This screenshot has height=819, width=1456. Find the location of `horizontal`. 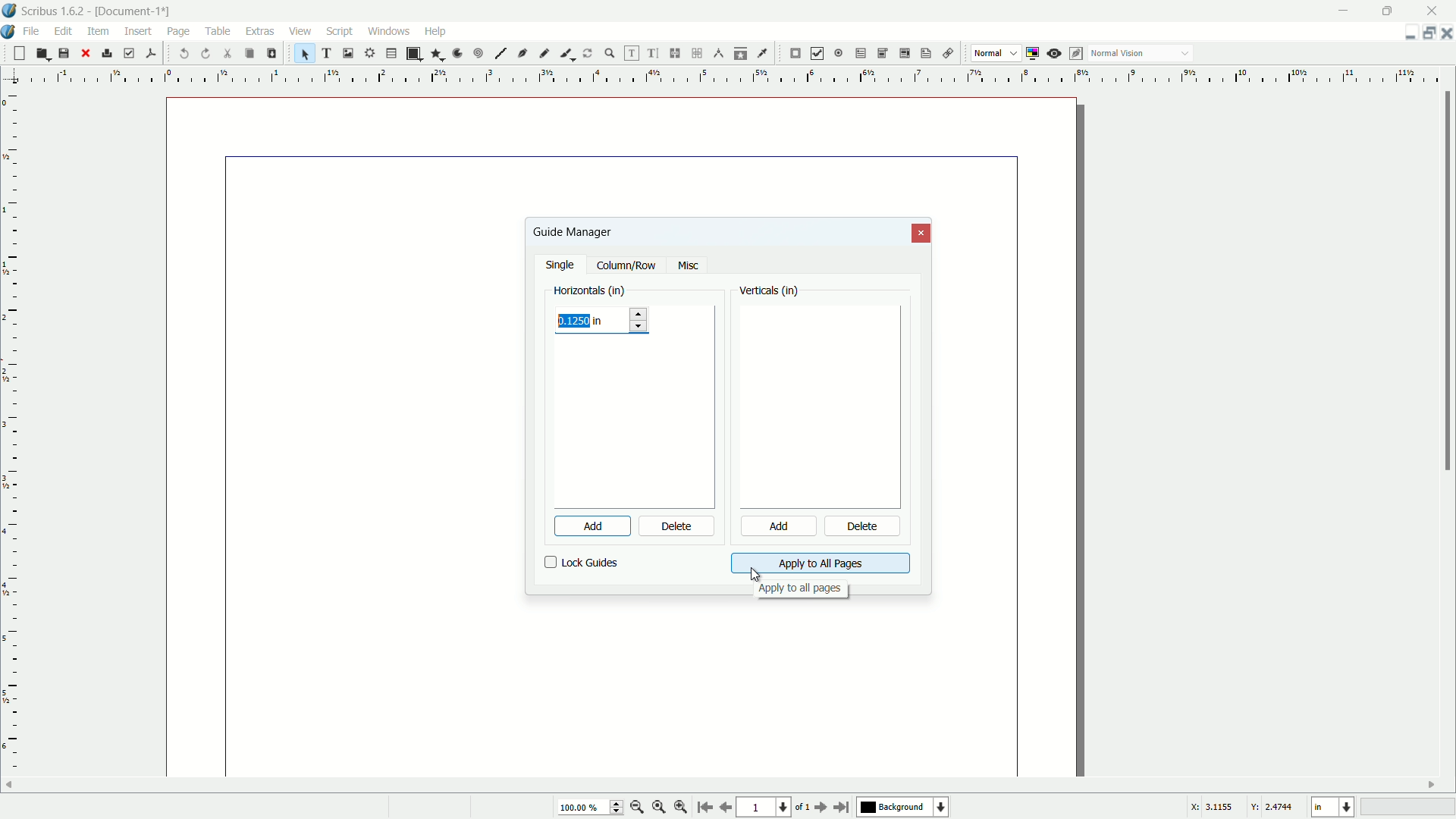

horizontal is located at coordinates (590, 289).